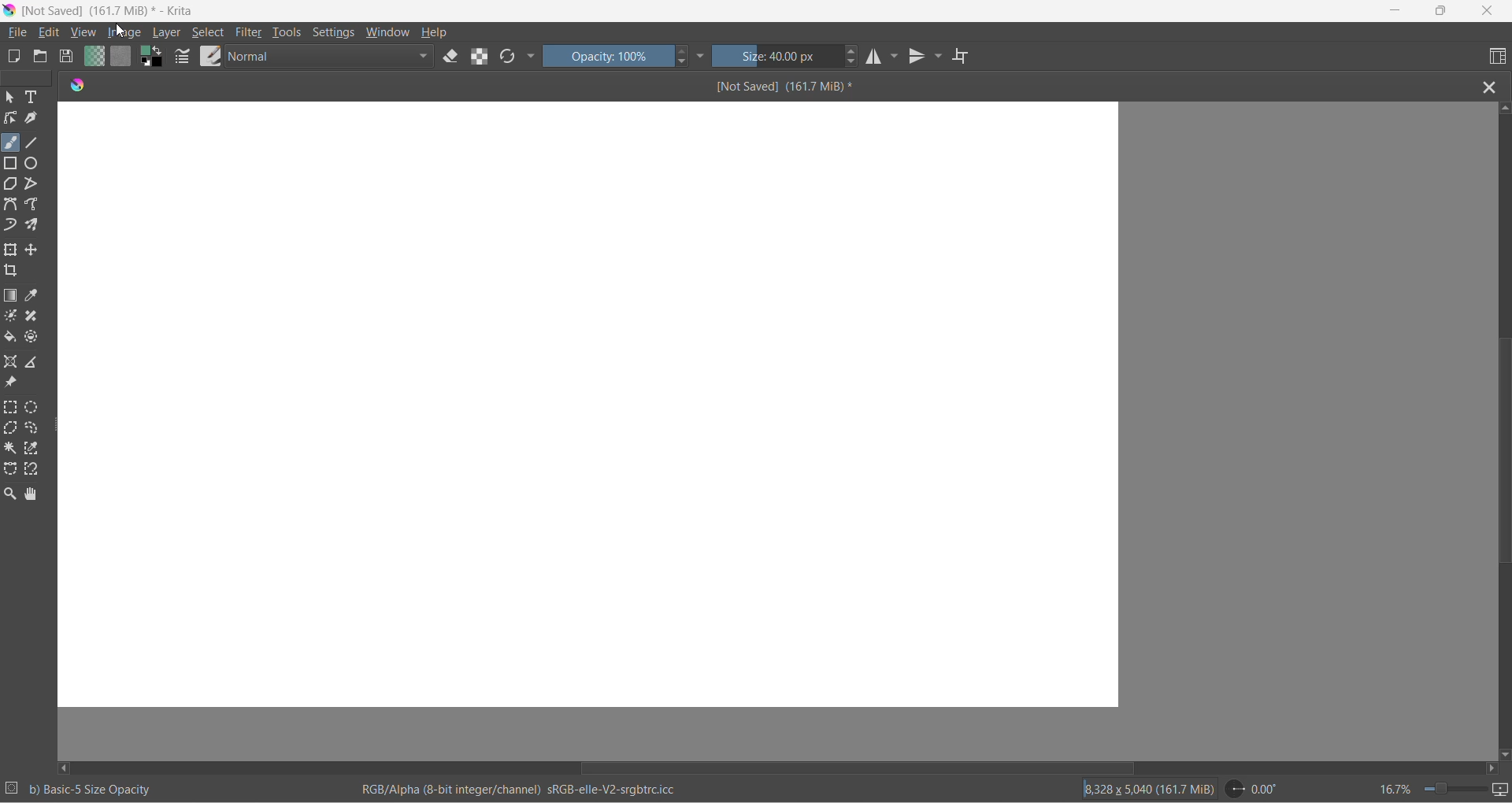 Image resolution: width=1512 pixels, height=803 pixels. I want to click on line tool, so click(35, 140).